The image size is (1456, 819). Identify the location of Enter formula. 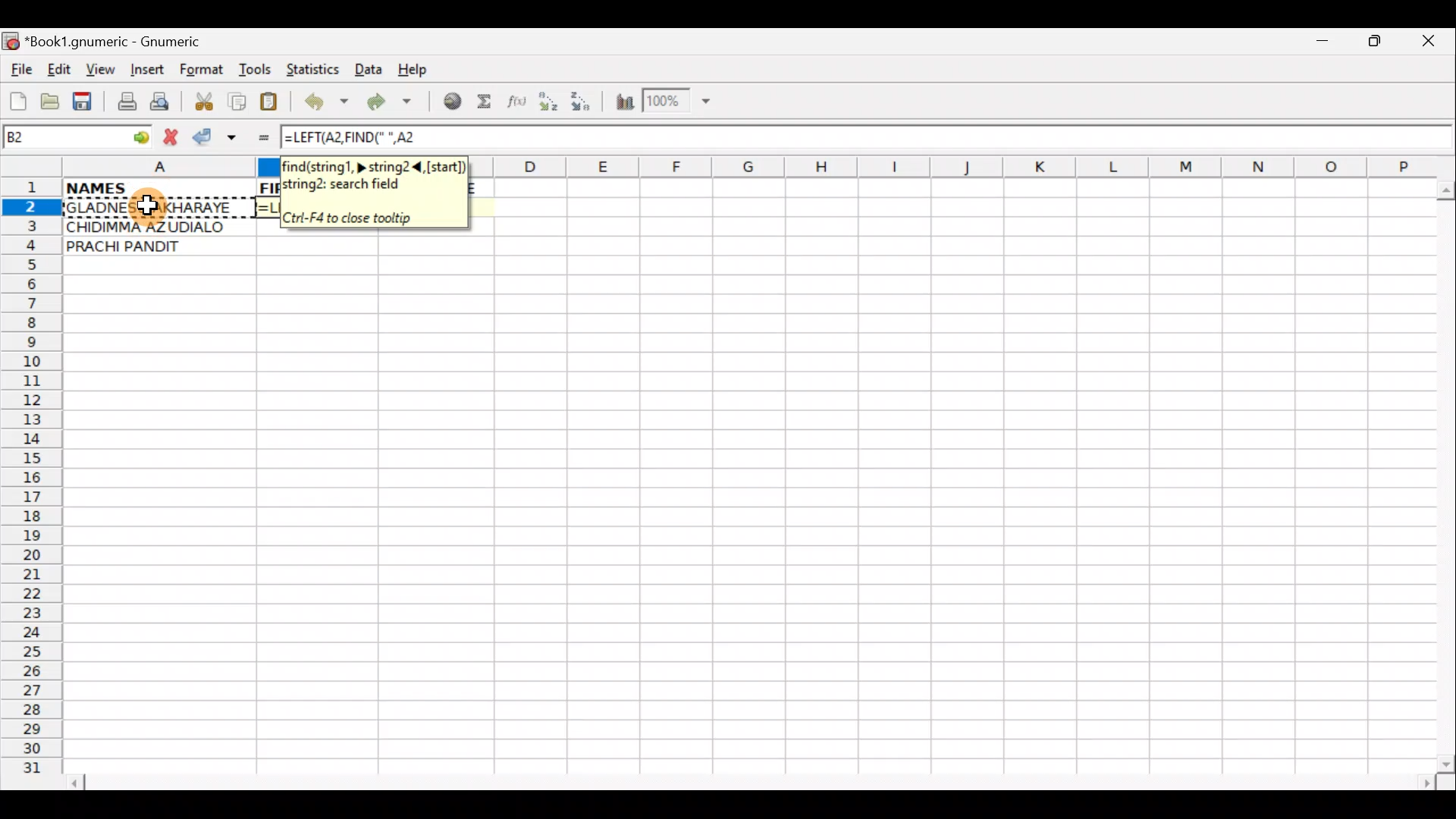
(256, 137).